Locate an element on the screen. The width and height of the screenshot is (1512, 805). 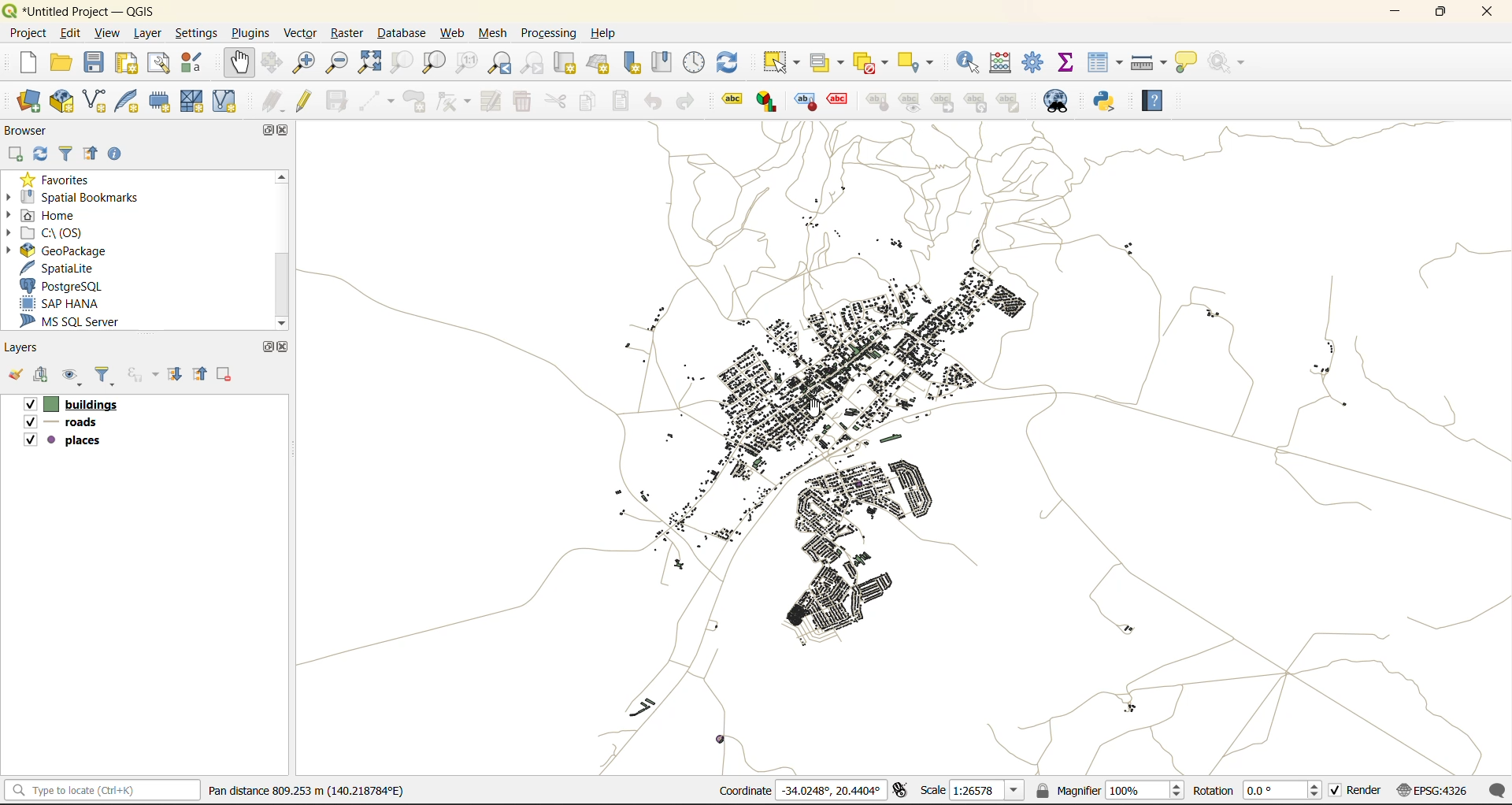
maximize is located at coordinates (264, 132).